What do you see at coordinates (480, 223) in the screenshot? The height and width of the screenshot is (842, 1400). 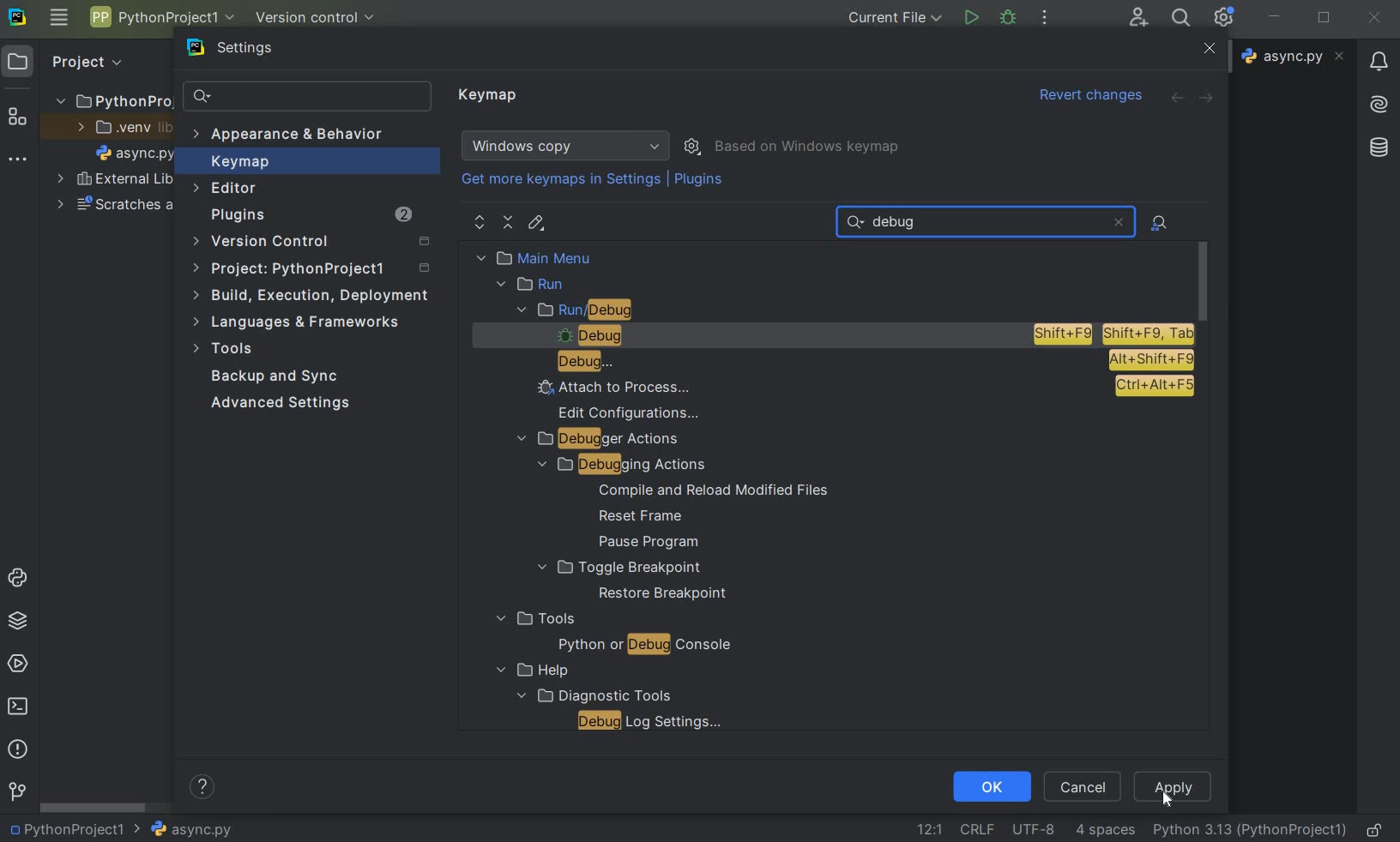 I see `expand all` at bounding box center [480, 223].